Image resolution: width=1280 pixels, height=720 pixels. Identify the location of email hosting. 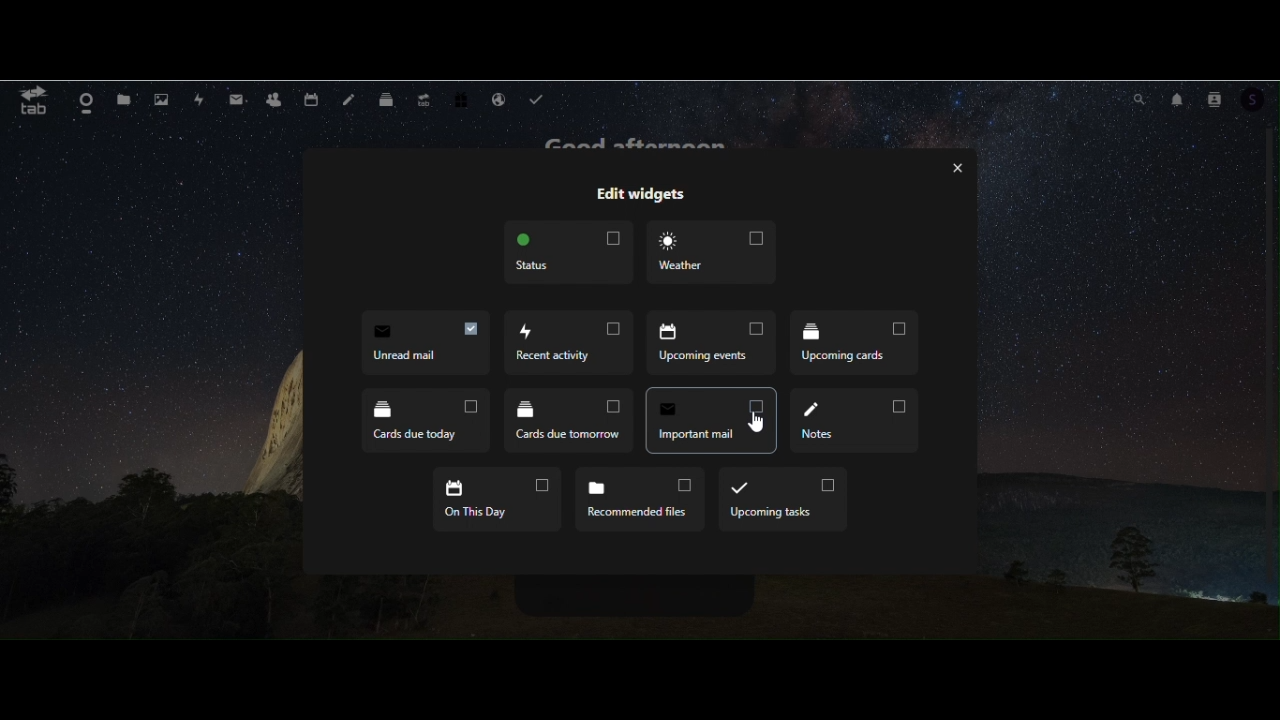
(498, 98).